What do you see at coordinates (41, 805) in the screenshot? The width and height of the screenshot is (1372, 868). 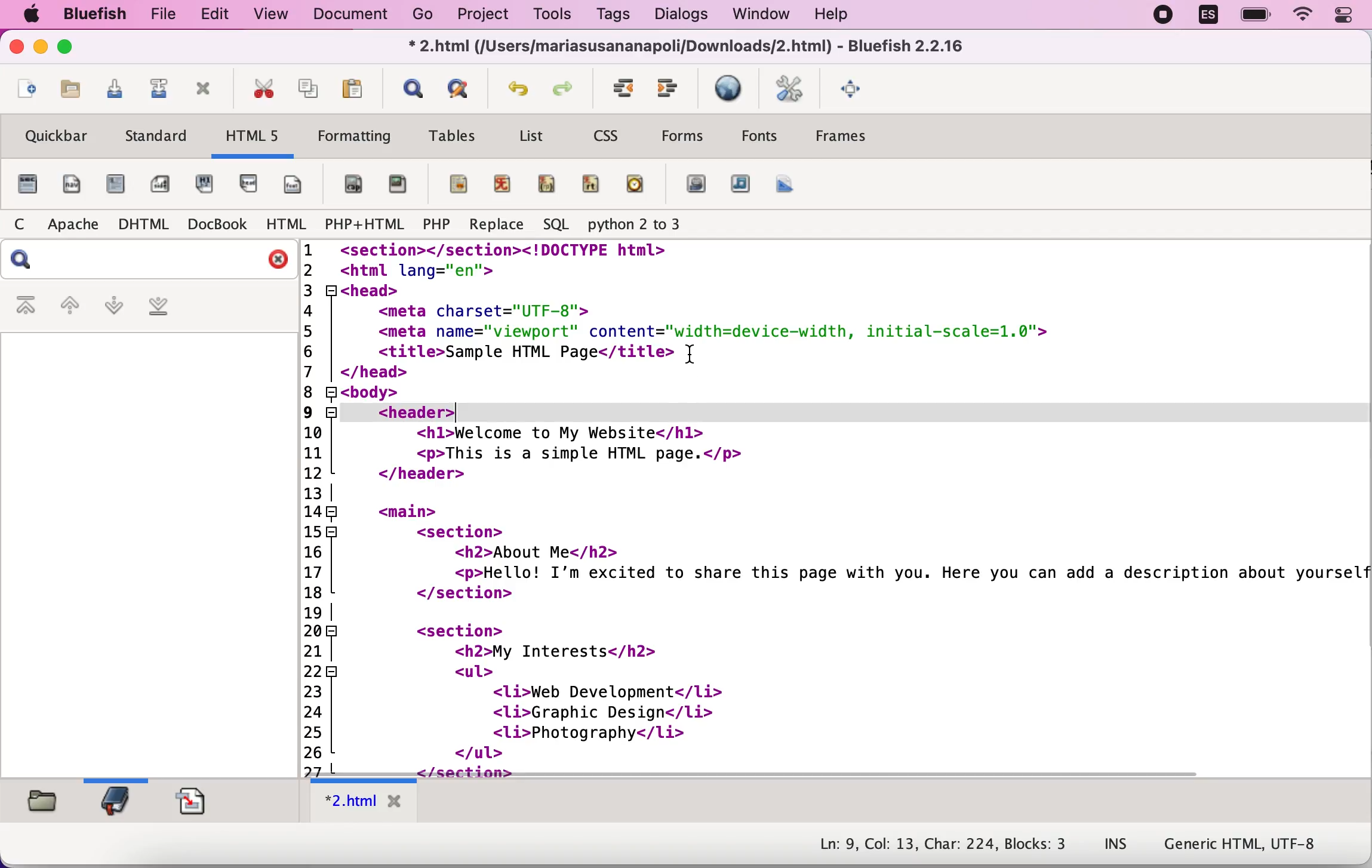 I see `filebrowser` at bounding box center [41, 805].